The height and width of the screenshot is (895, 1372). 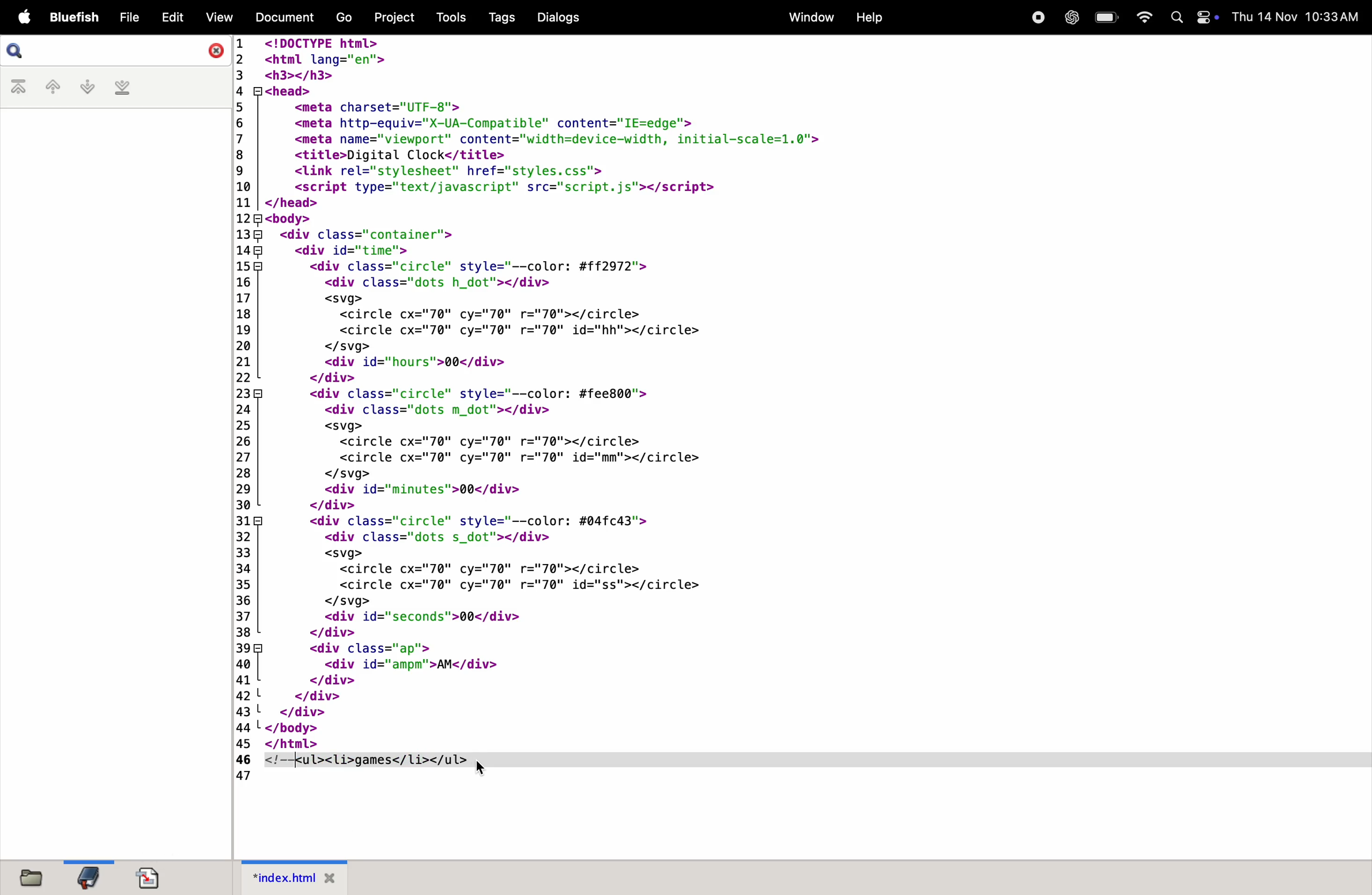 What do you see at coordinates (353, 769) in the screenshot?
I see `unordered list` at bounding box center [353, 769].